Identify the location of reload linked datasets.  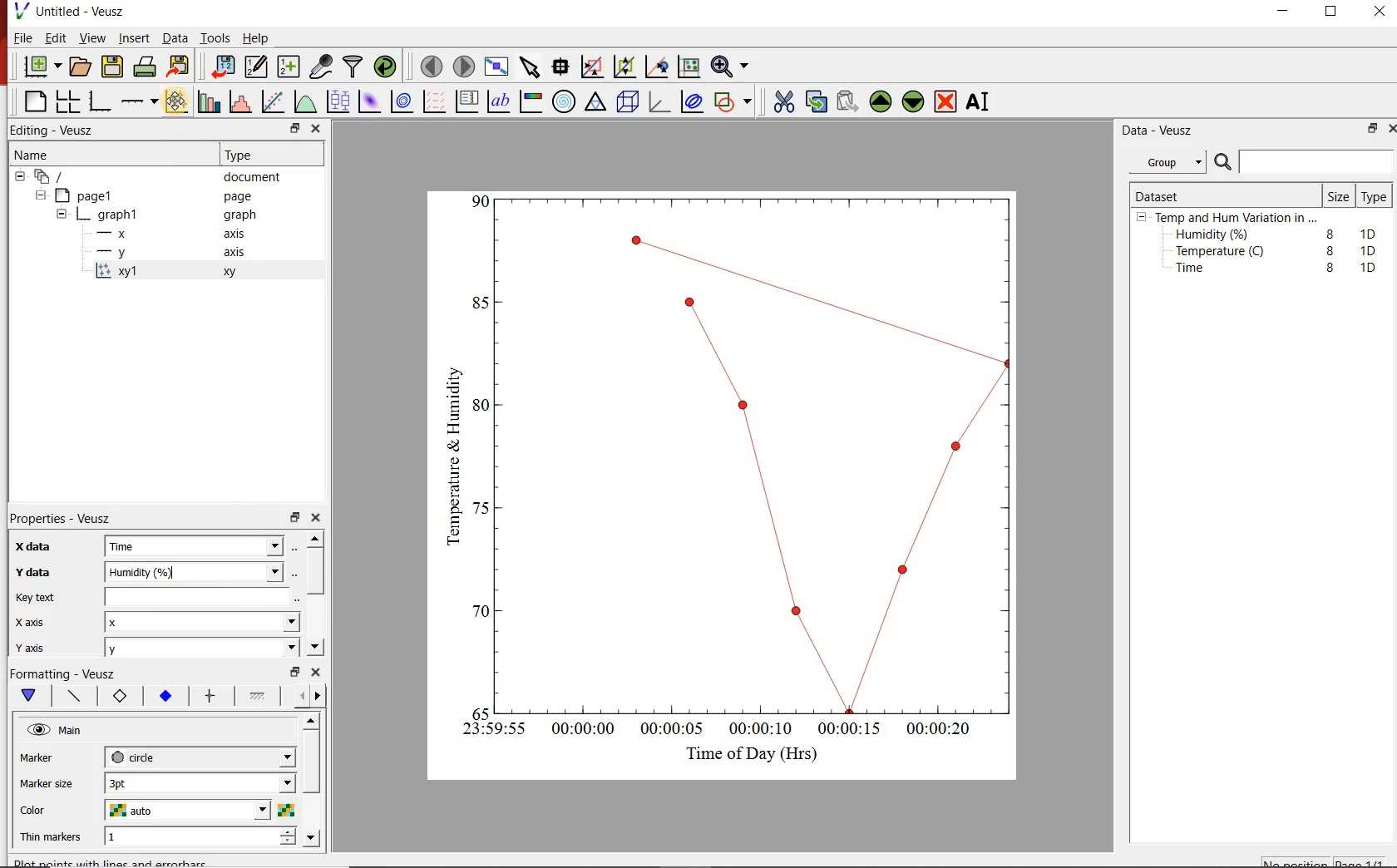
(385, 67).